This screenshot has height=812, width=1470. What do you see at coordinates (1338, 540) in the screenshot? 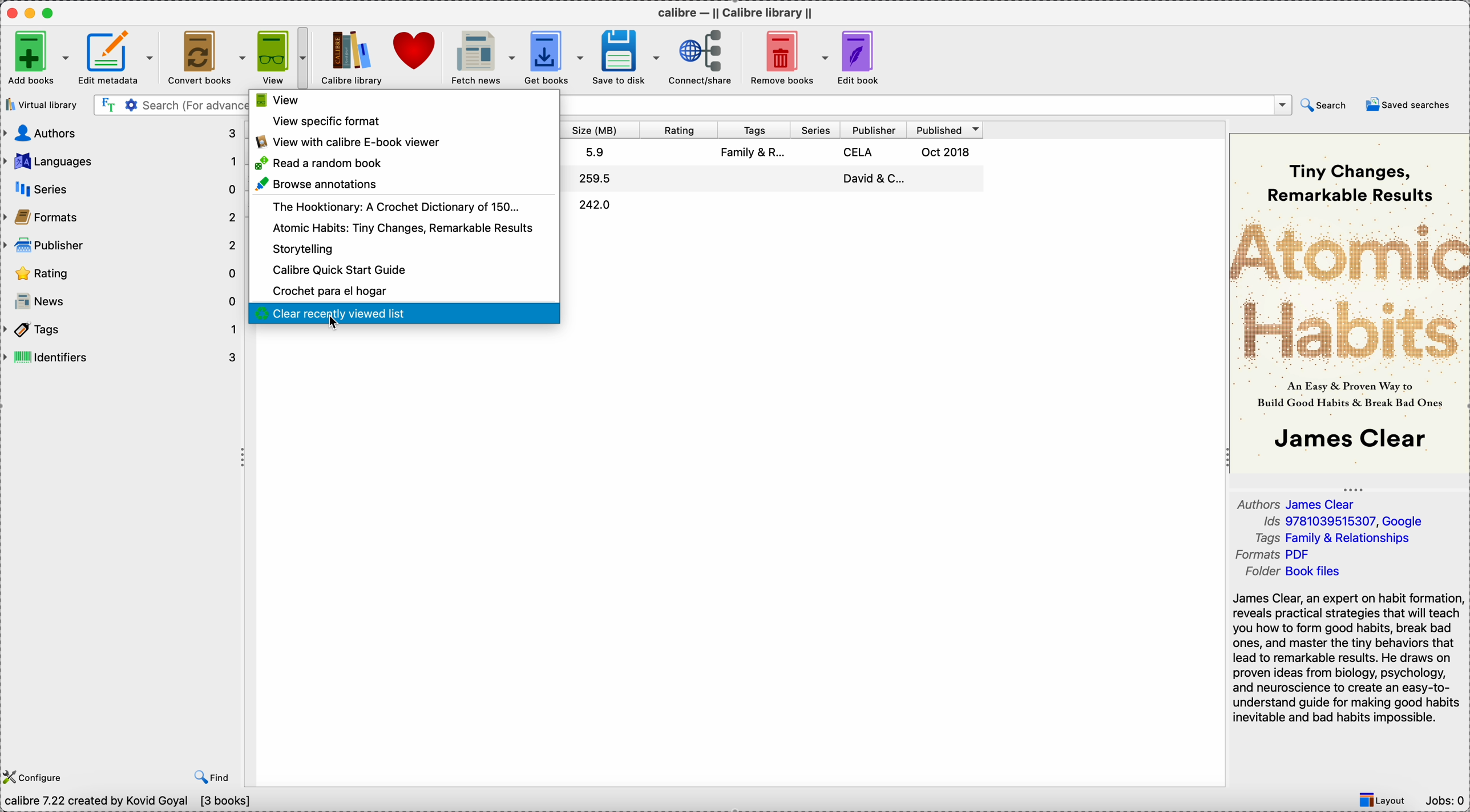
I see `Tags Familly & Relationships` at bounding box center [1338, 540].